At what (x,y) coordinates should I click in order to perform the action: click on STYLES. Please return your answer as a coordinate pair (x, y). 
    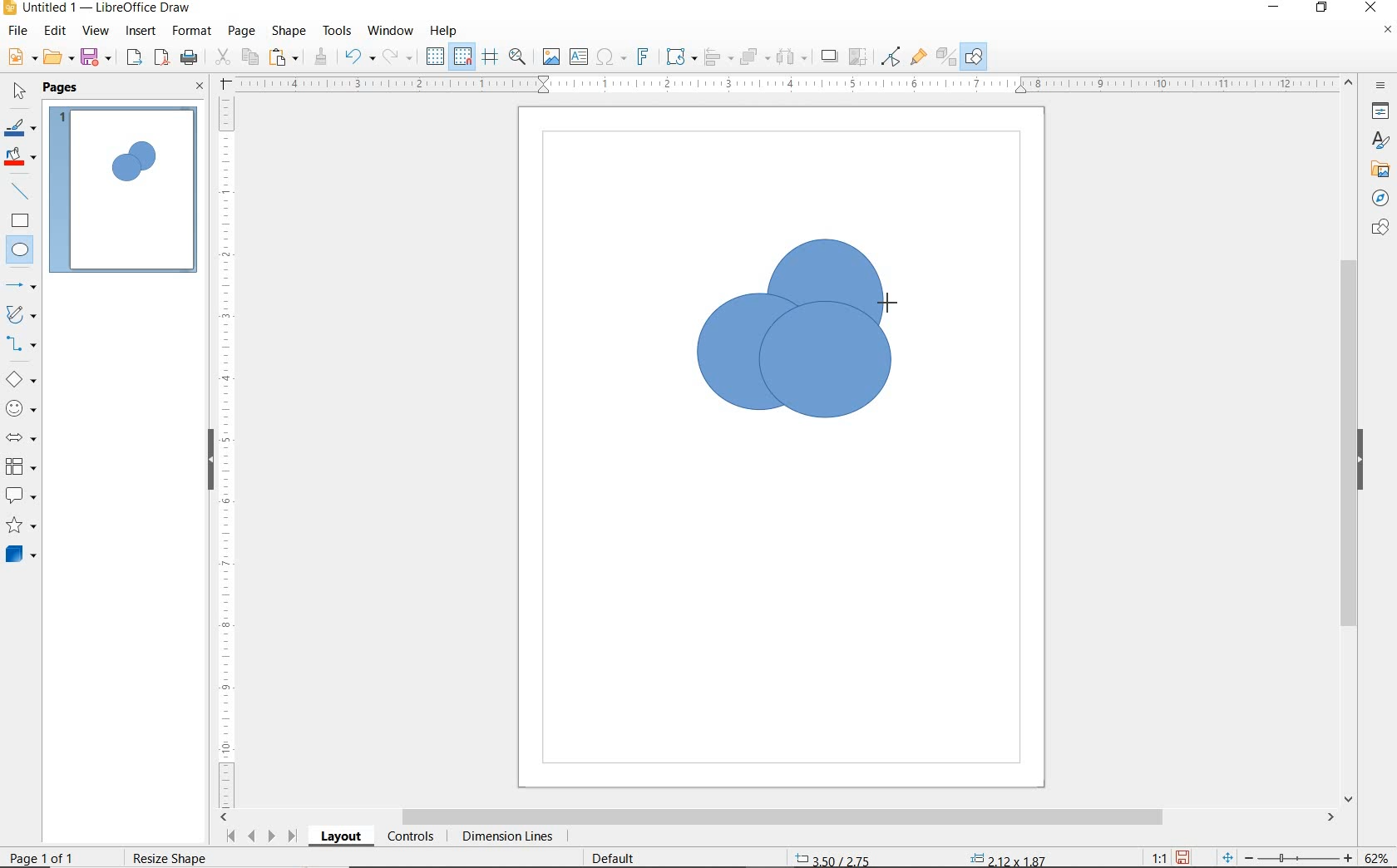
    Looking at the image, I should click on (1376, 143).